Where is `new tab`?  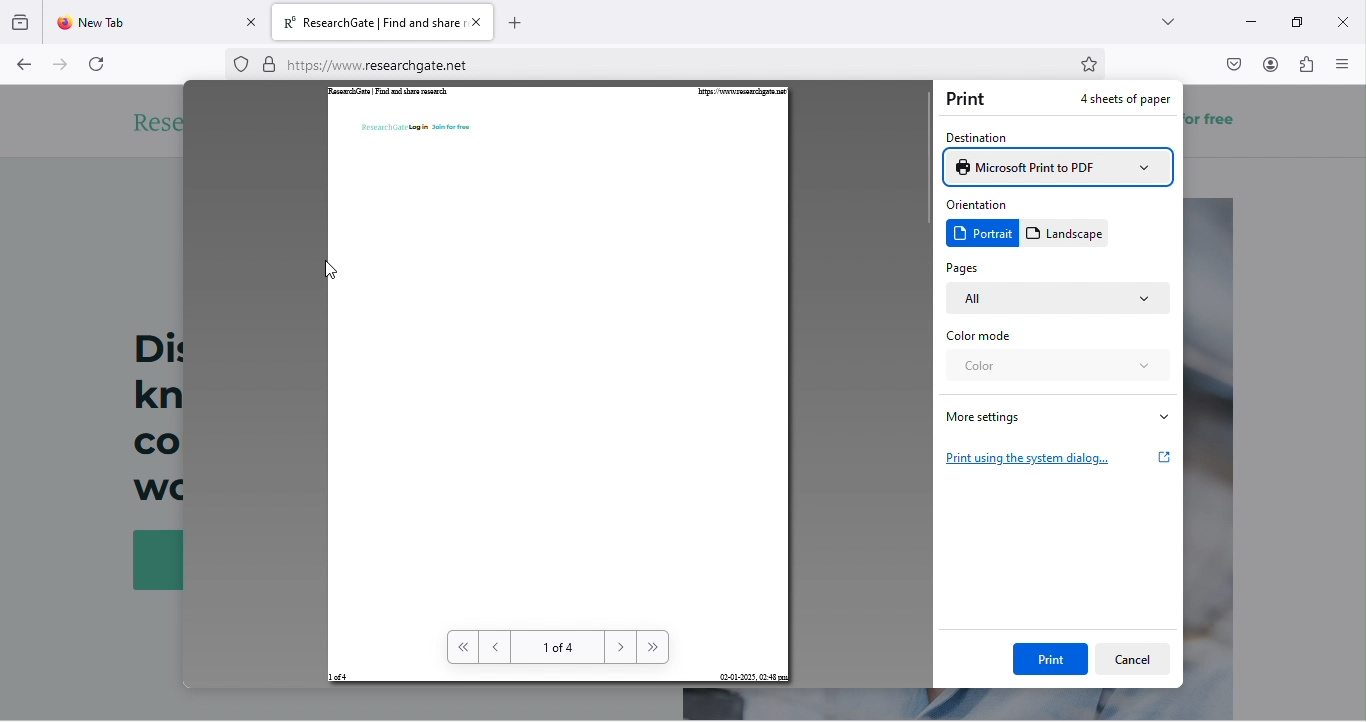 new tab is located at coordinates (155, 24).